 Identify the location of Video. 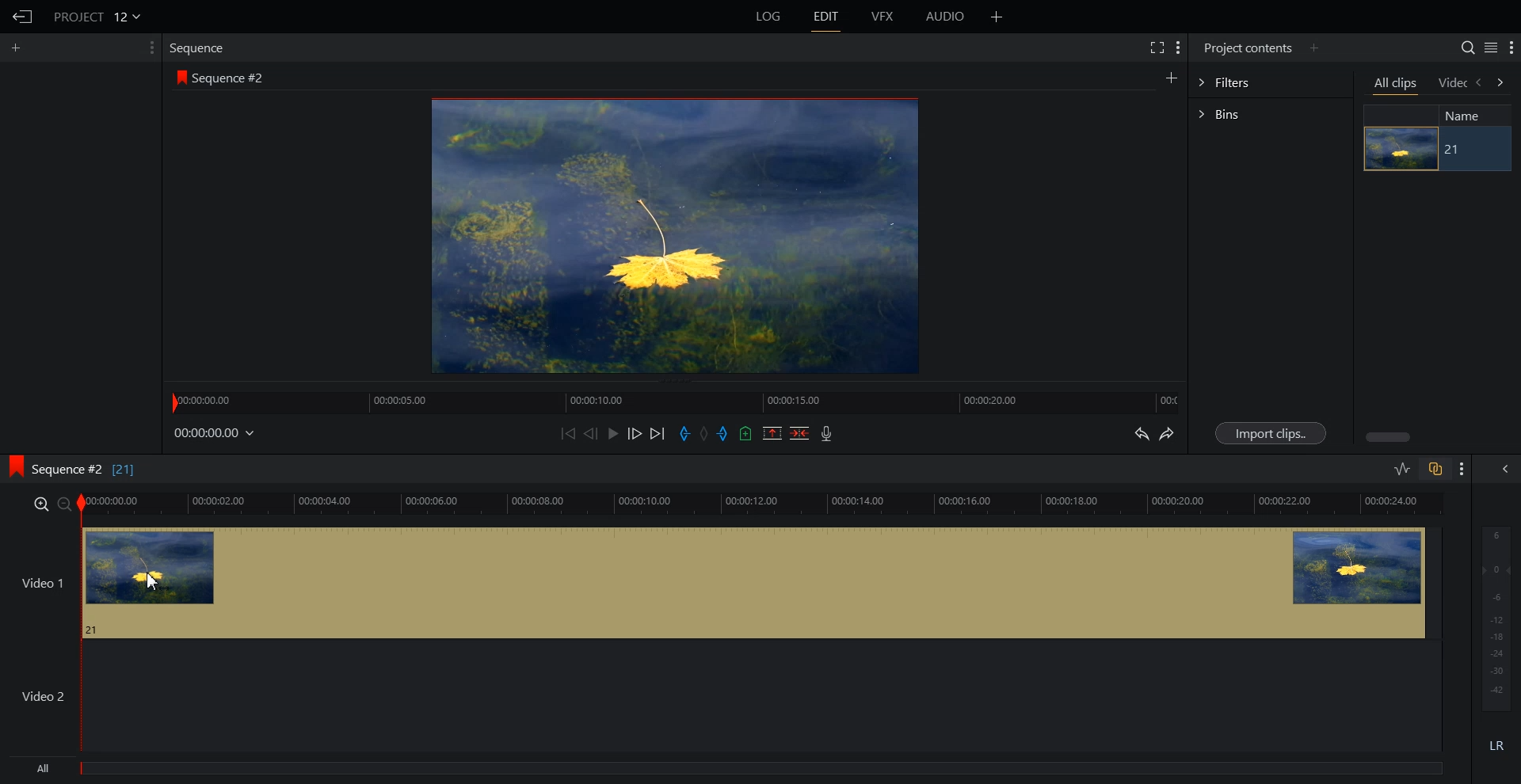
(1452, 83).